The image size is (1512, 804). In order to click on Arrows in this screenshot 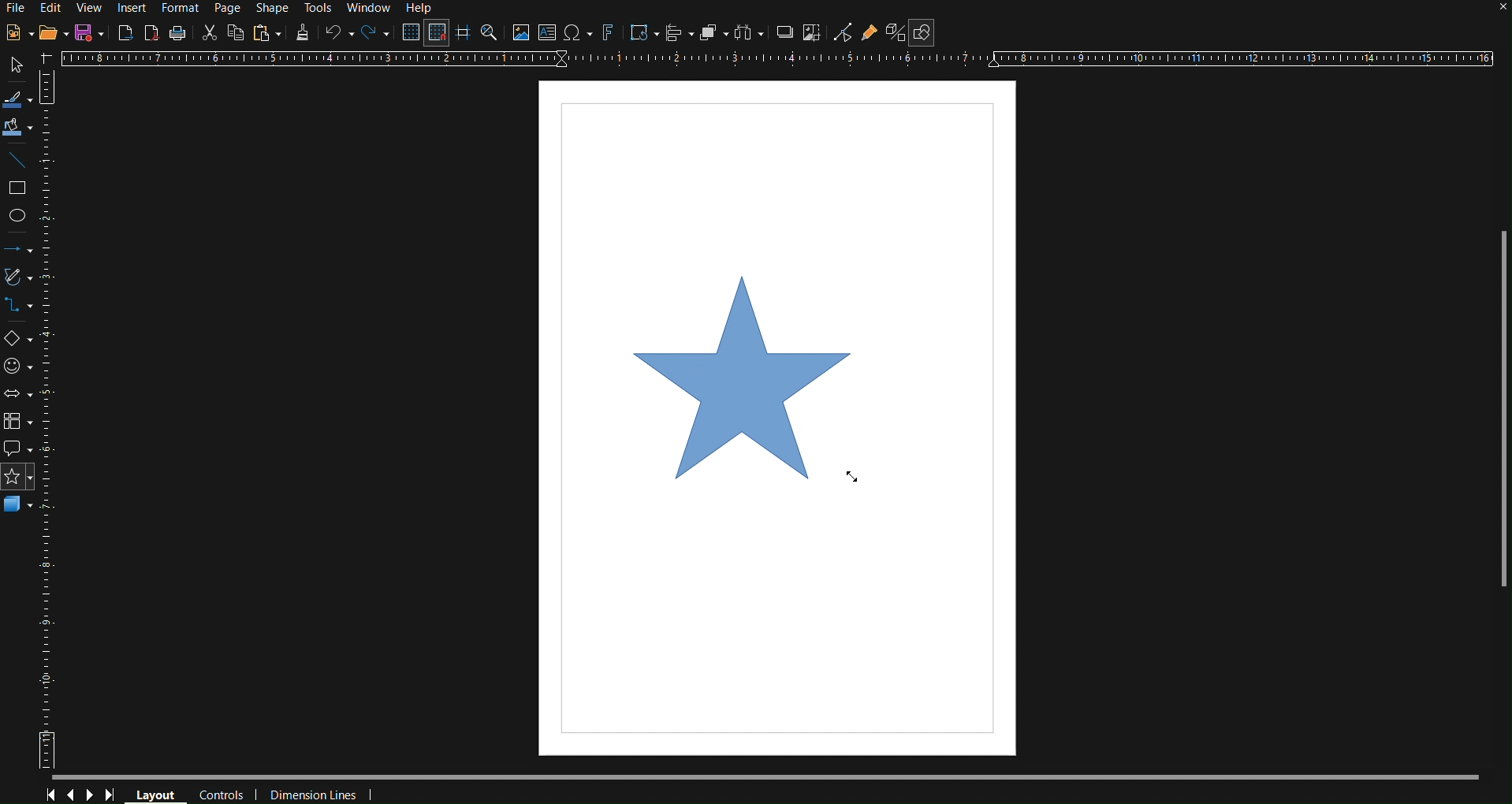, I will do `click(20, 253)`.